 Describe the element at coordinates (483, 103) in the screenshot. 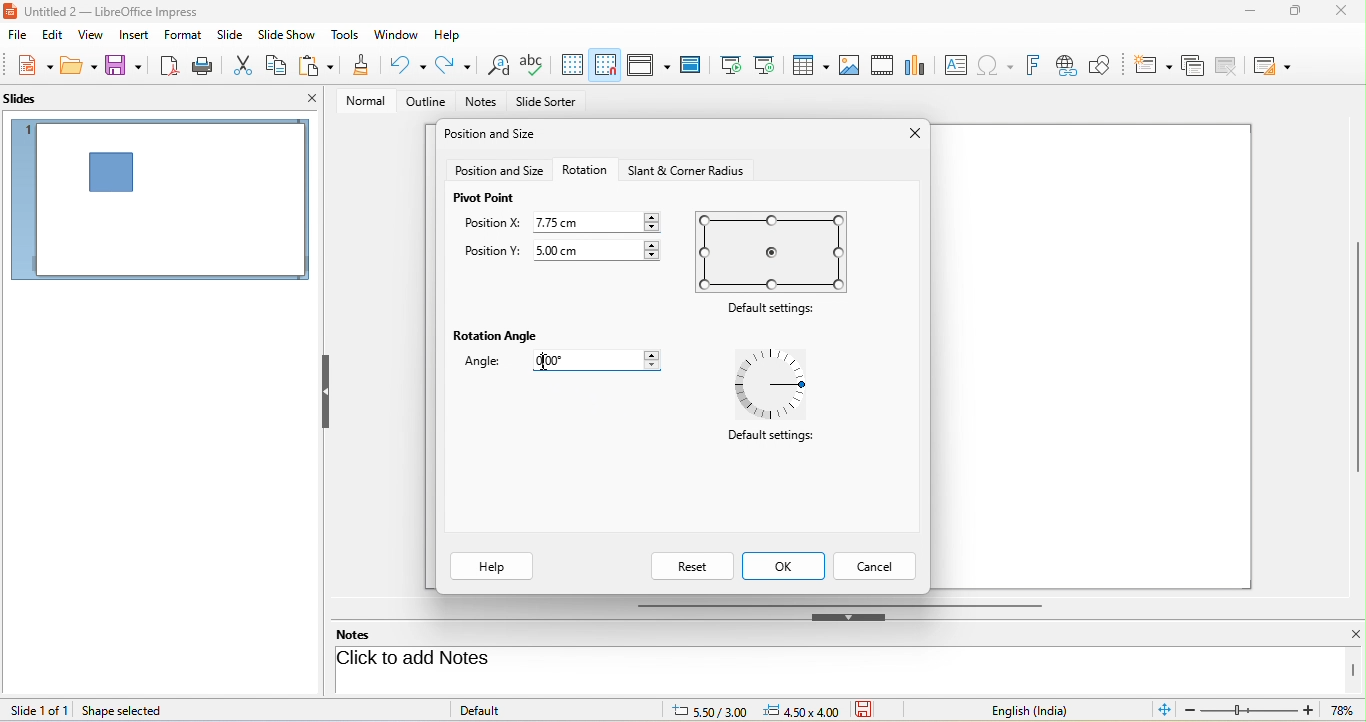

I see `notes` at that location.